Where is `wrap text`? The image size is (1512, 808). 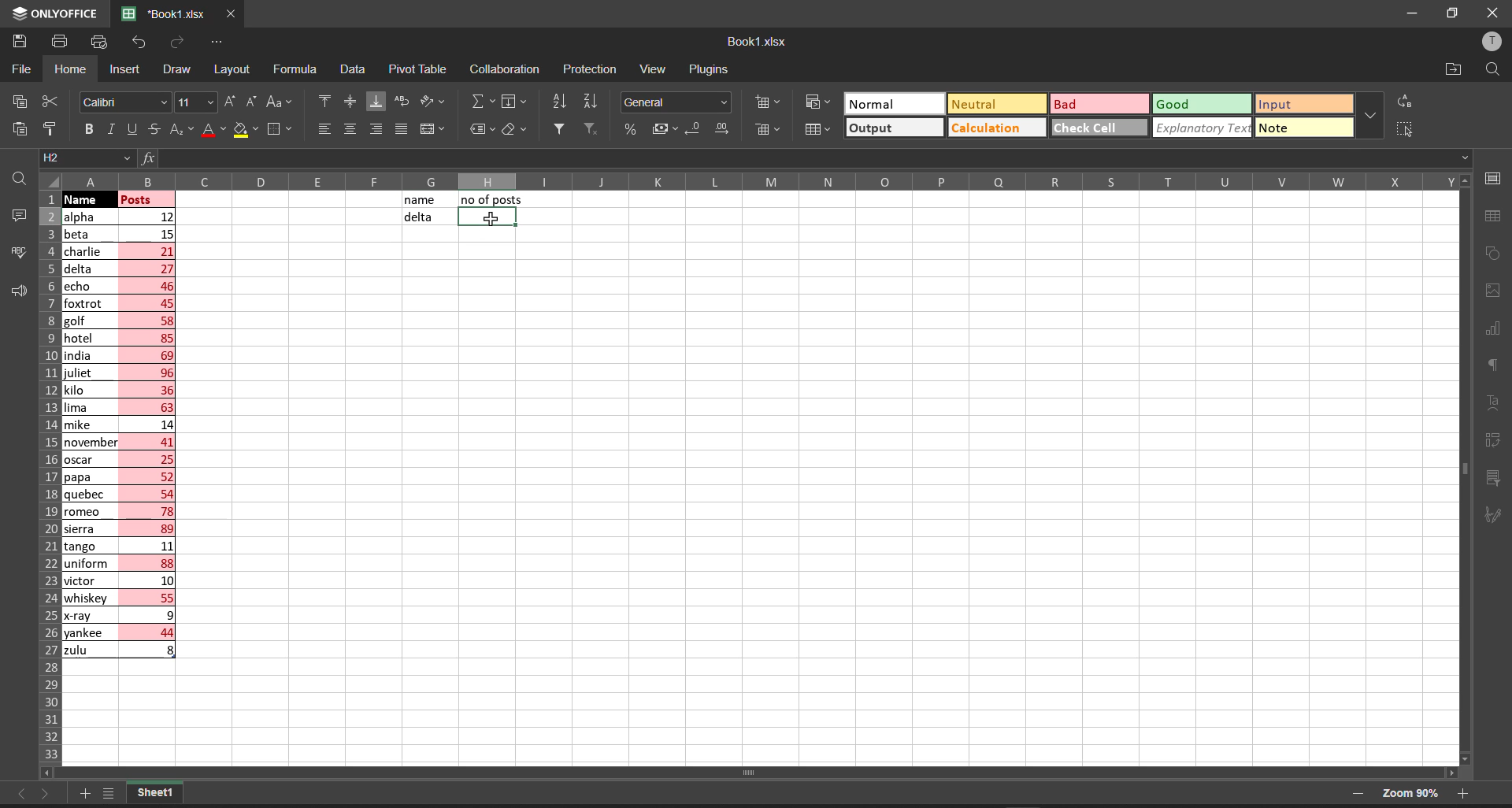
wrap text is located at coordinates (406, 103).